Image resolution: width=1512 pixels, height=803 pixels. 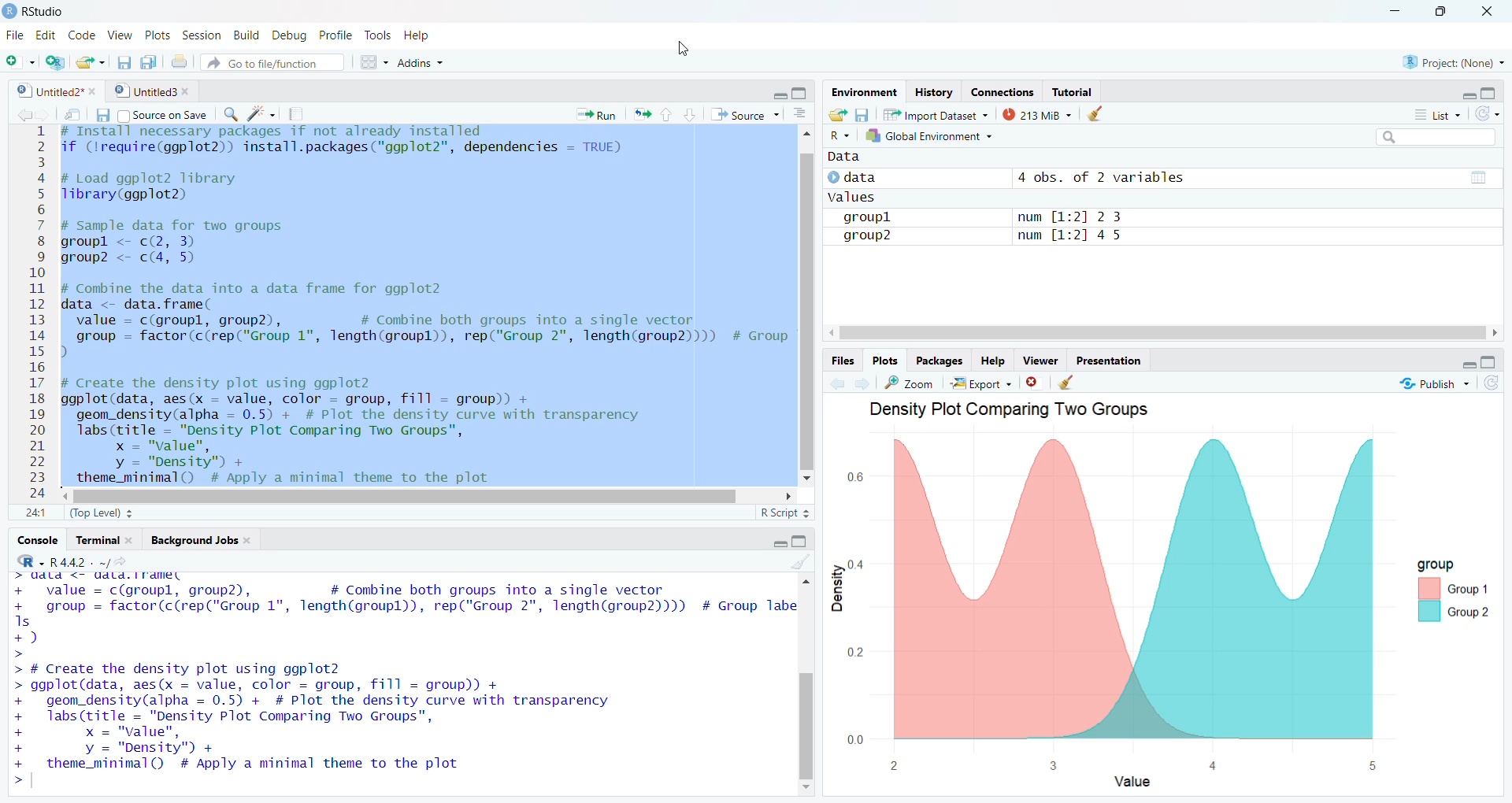 What do you see at coordinates (72, 114) in the screenshot?
I see `send file` at bounding box center [72, 114].